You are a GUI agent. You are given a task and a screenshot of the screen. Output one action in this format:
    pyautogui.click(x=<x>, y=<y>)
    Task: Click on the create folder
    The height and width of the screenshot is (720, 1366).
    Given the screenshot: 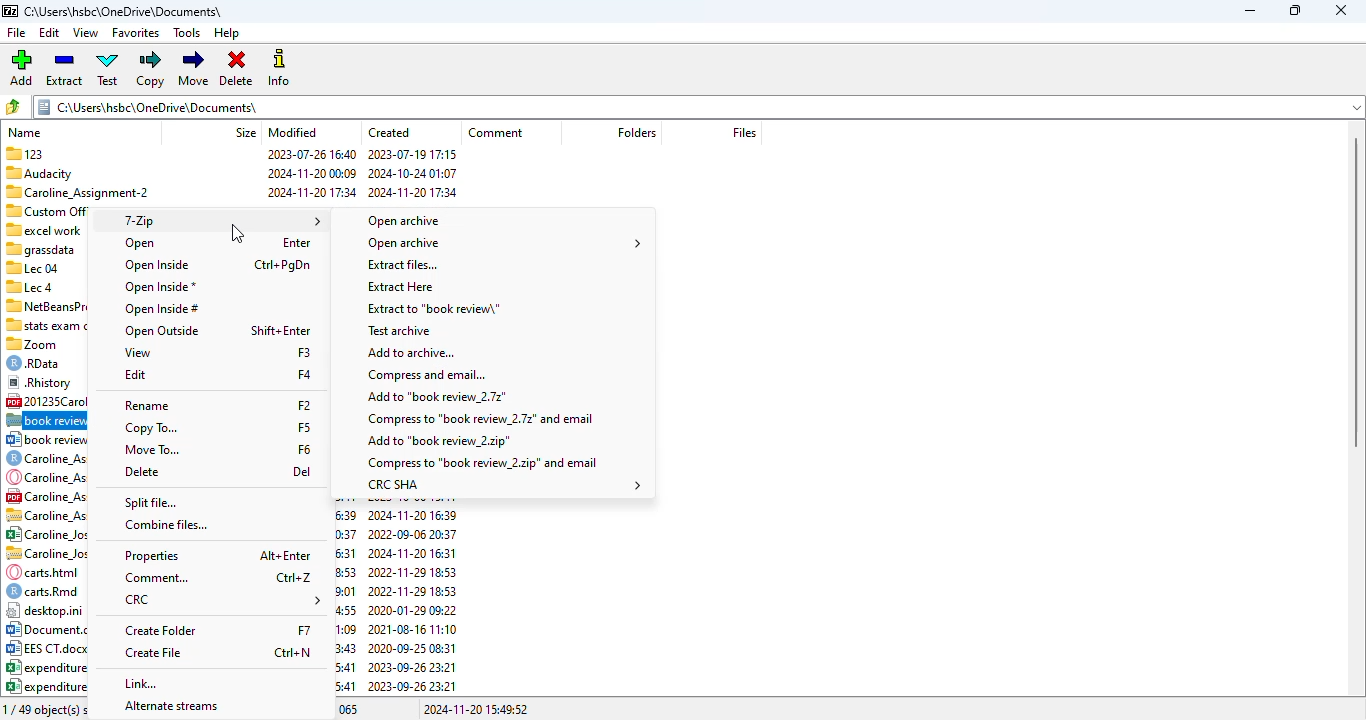 What is the action you would take?
    pyautogui.click(x=160, y=630)
    